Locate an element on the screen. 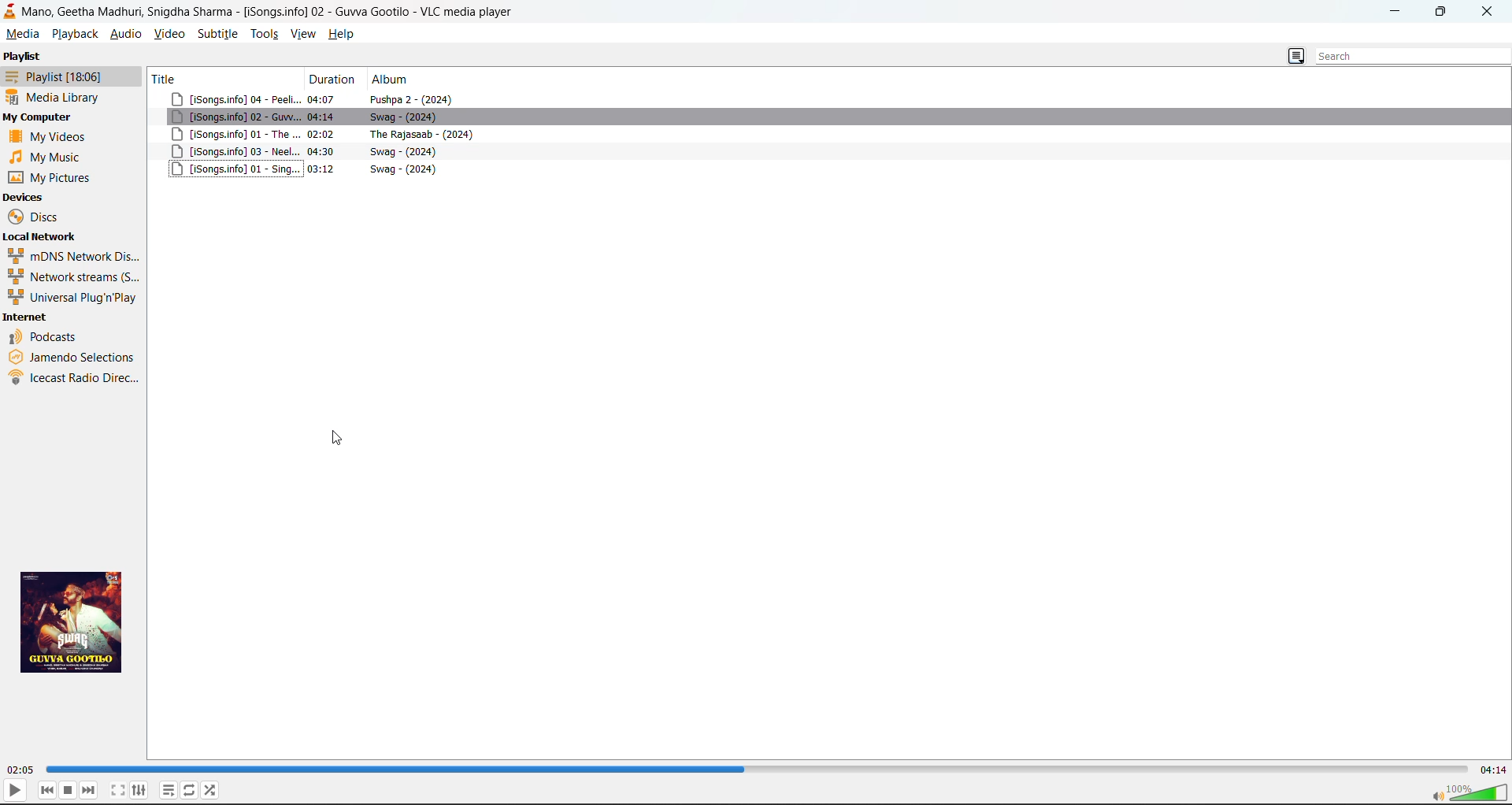  total time is located at coordinates (1493, 770).